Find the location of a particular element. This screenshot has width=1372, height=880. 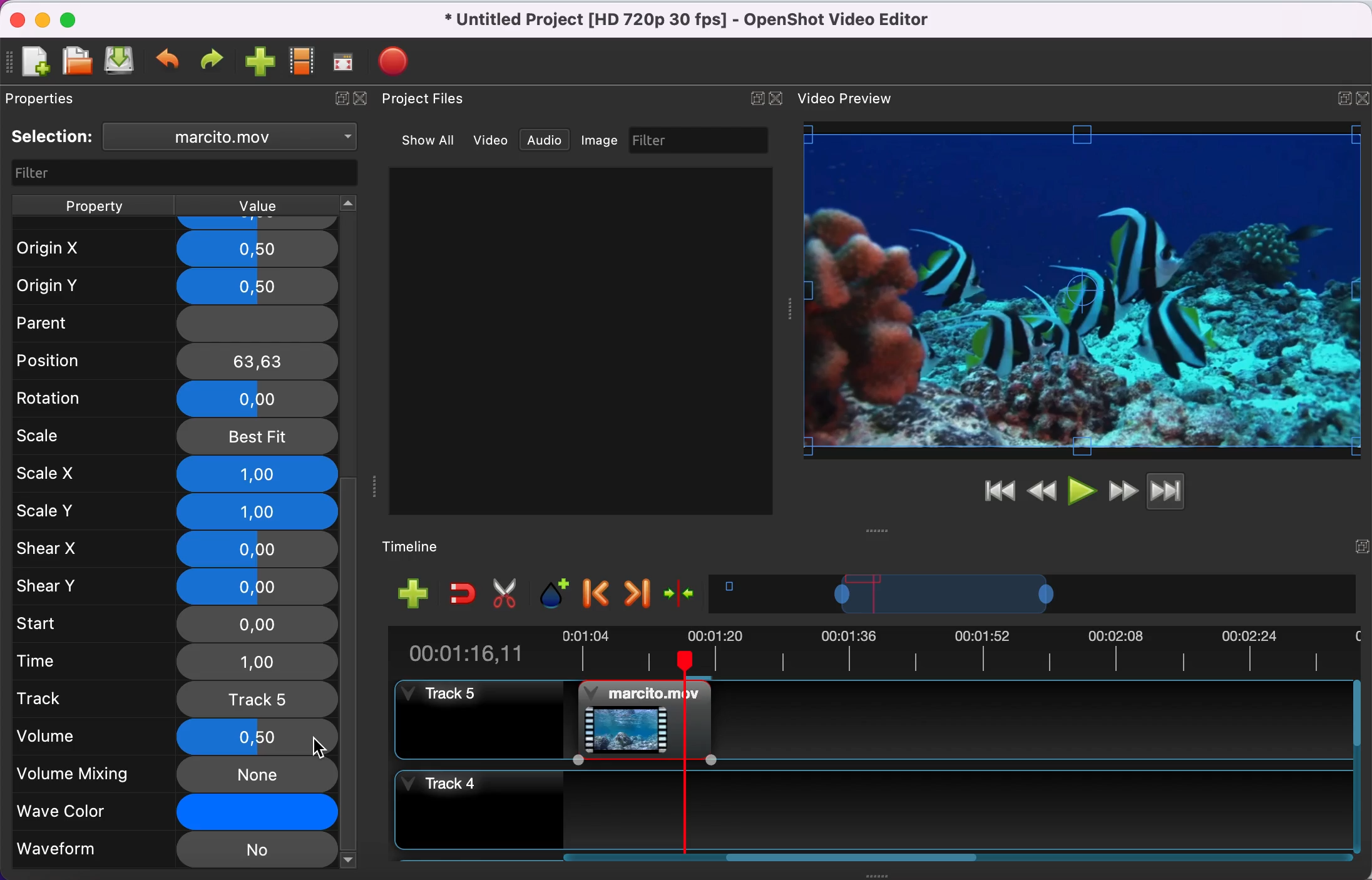

choose profile is located at coordinates (301, 62).